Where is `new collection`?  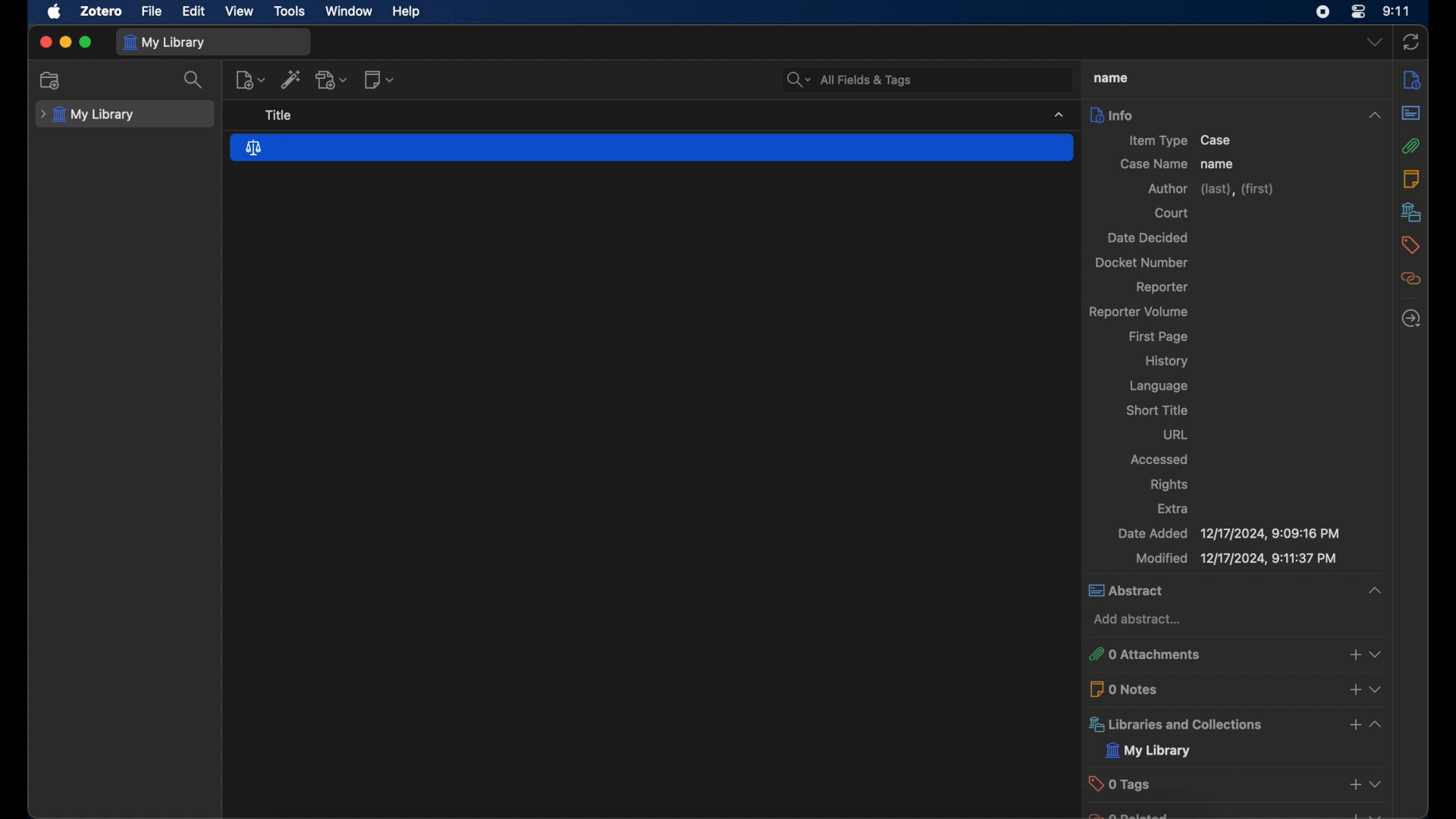
new collection is located at coordinates (51, 81).